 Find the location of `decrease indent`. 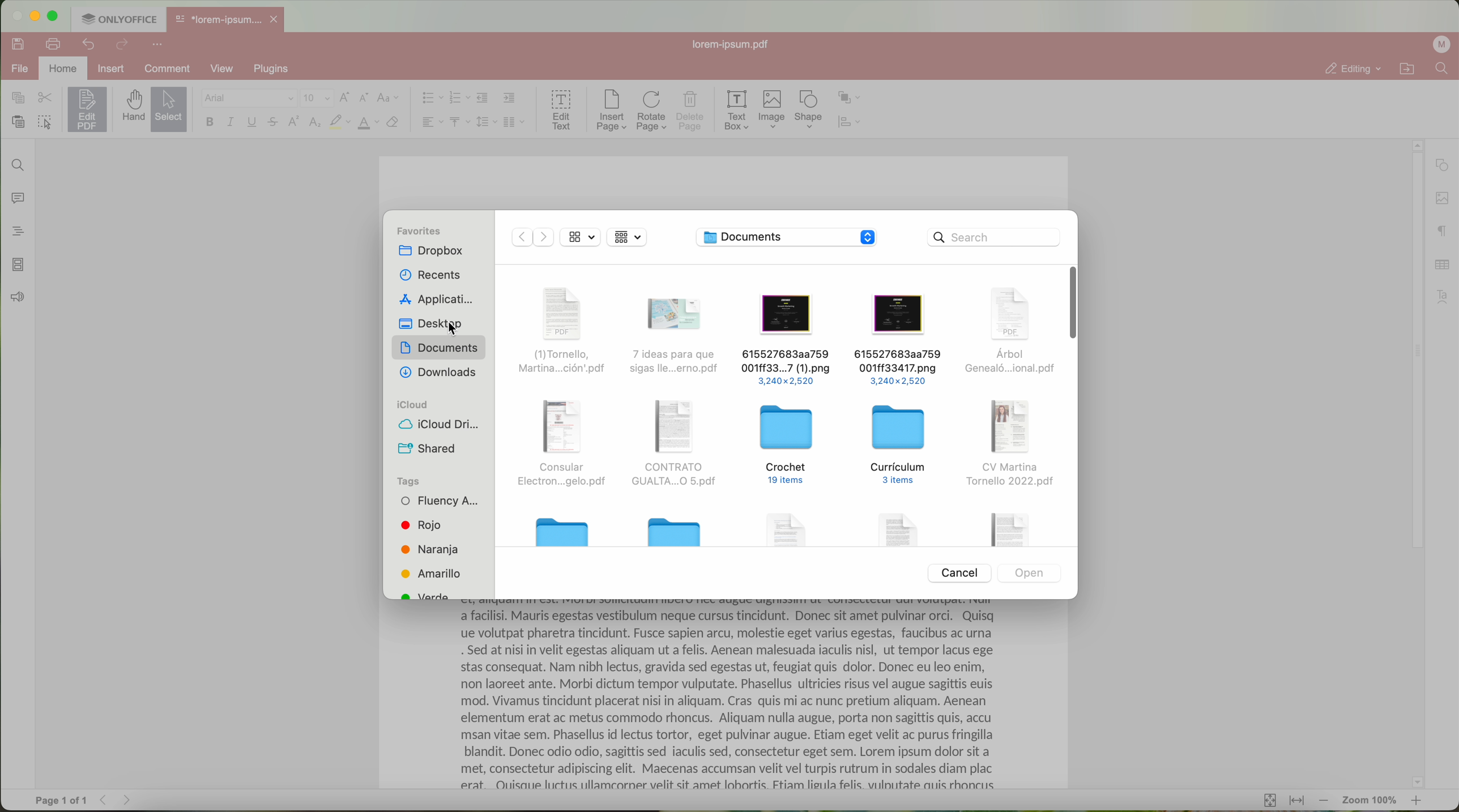

decrease indent is located at coordinates (483, 98).